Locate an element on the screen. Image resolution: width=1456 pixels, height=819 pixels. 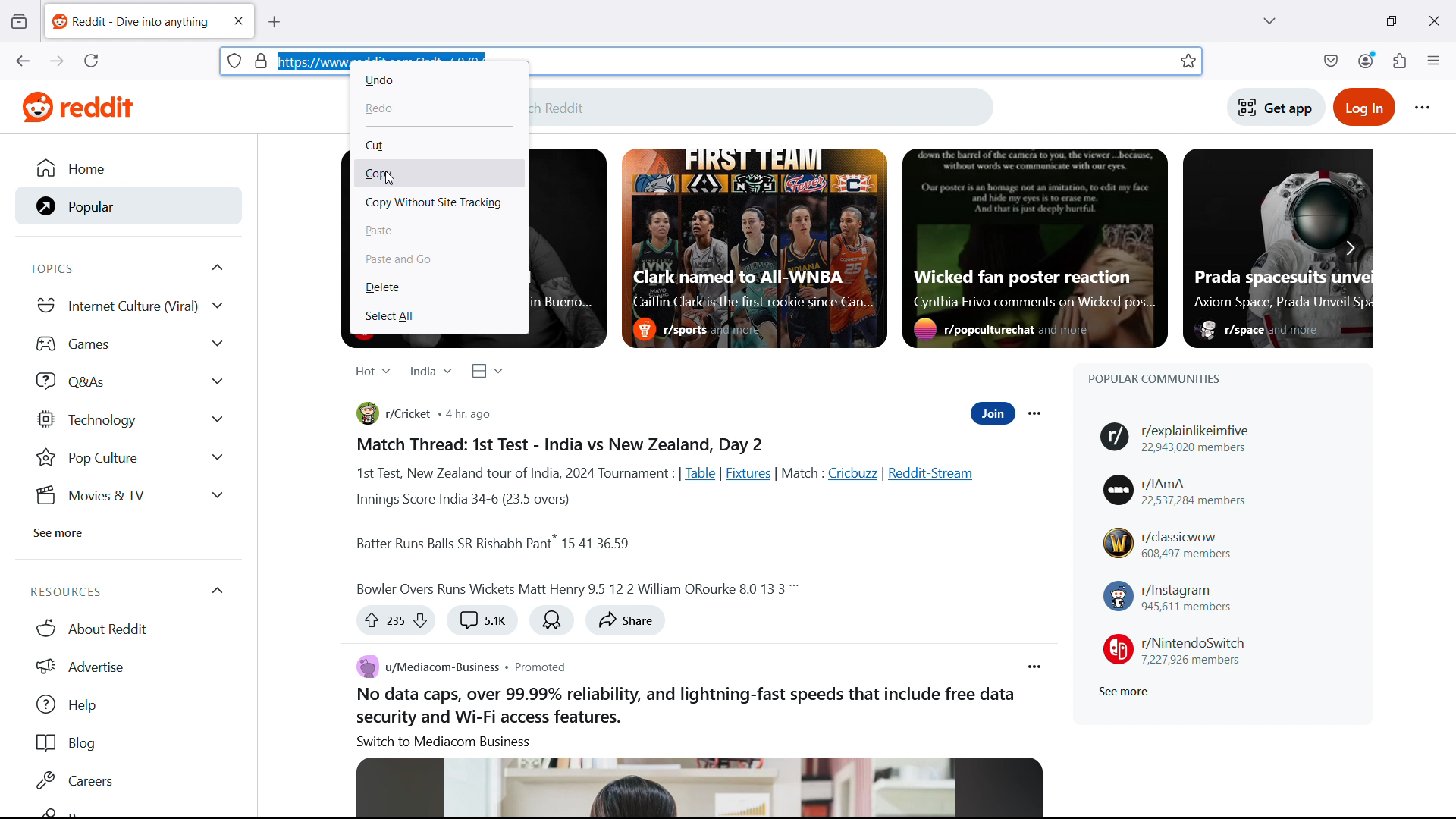
cursor is located at coordinates (391, 178).